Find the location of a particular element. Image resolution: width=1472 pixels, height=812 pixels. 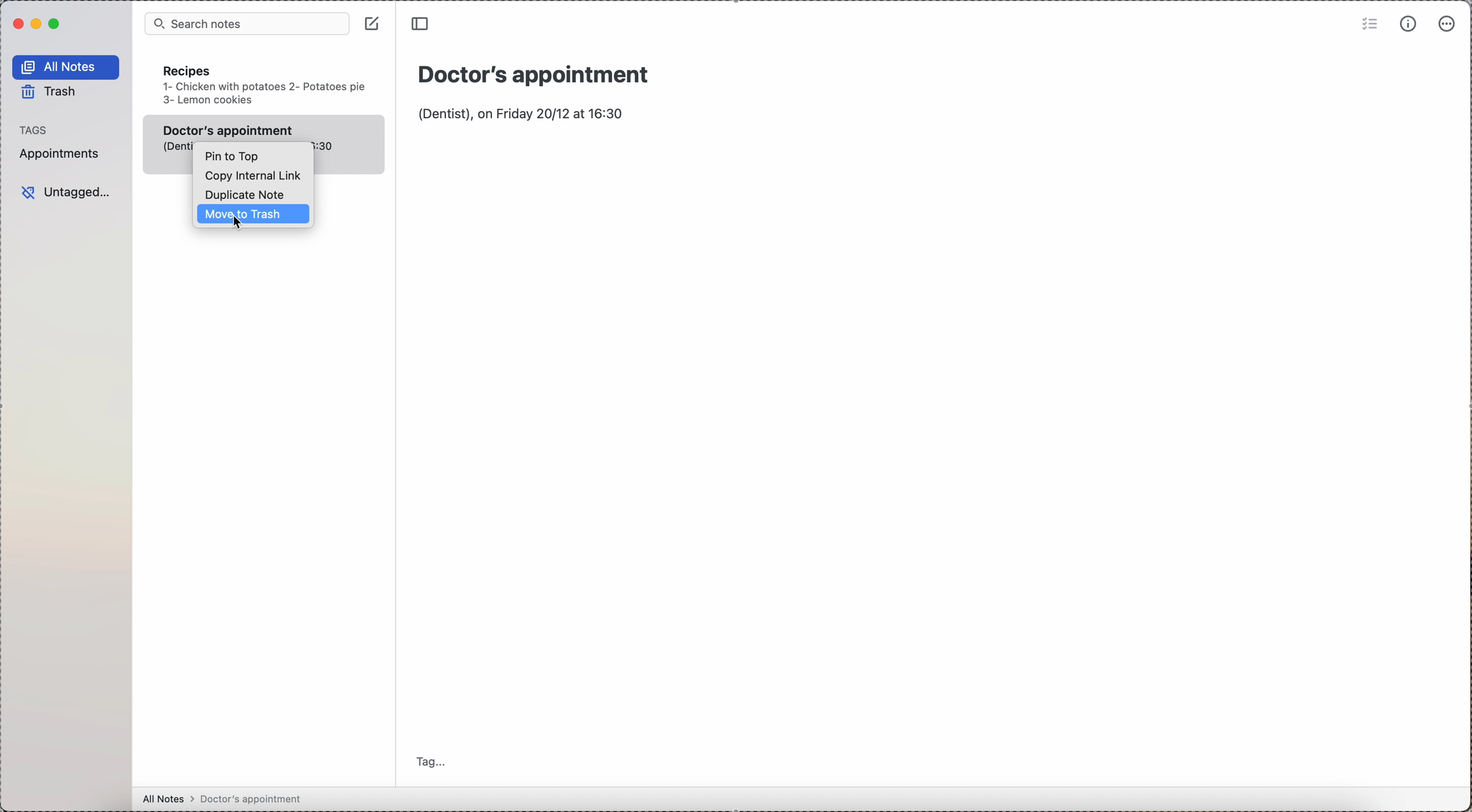

search bar is located at coordinates (245, 24).